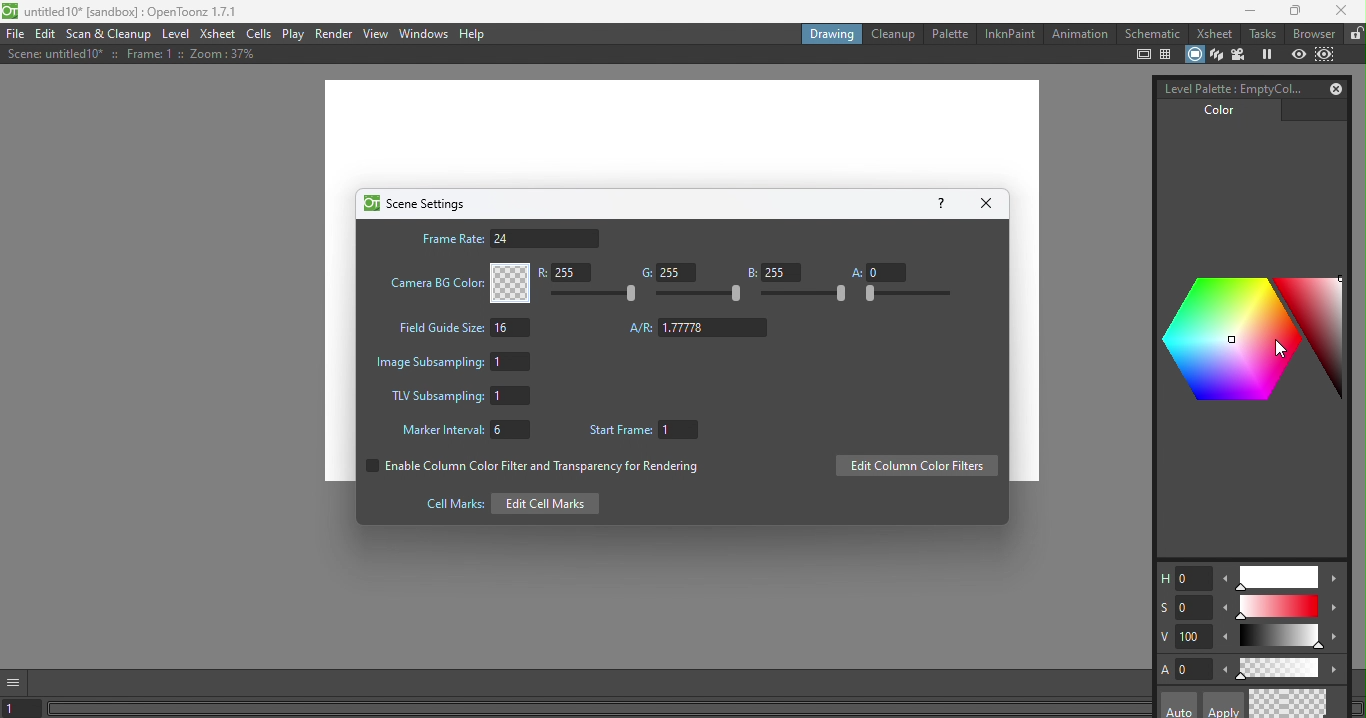  What do you see at coordinates (1183, 606) in the screenshot?
I see `S` at bounding box center [1183, 606].